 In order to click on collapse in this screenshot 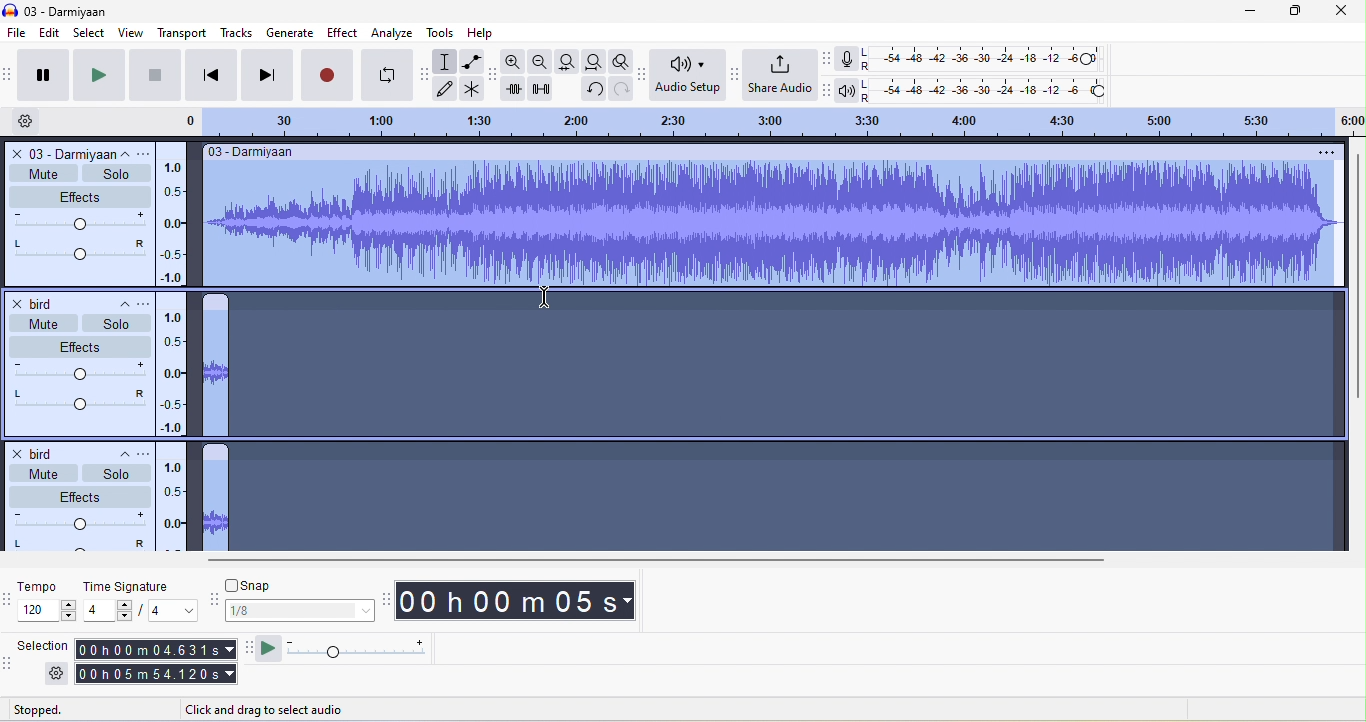, I will do `click(126, 154)`.